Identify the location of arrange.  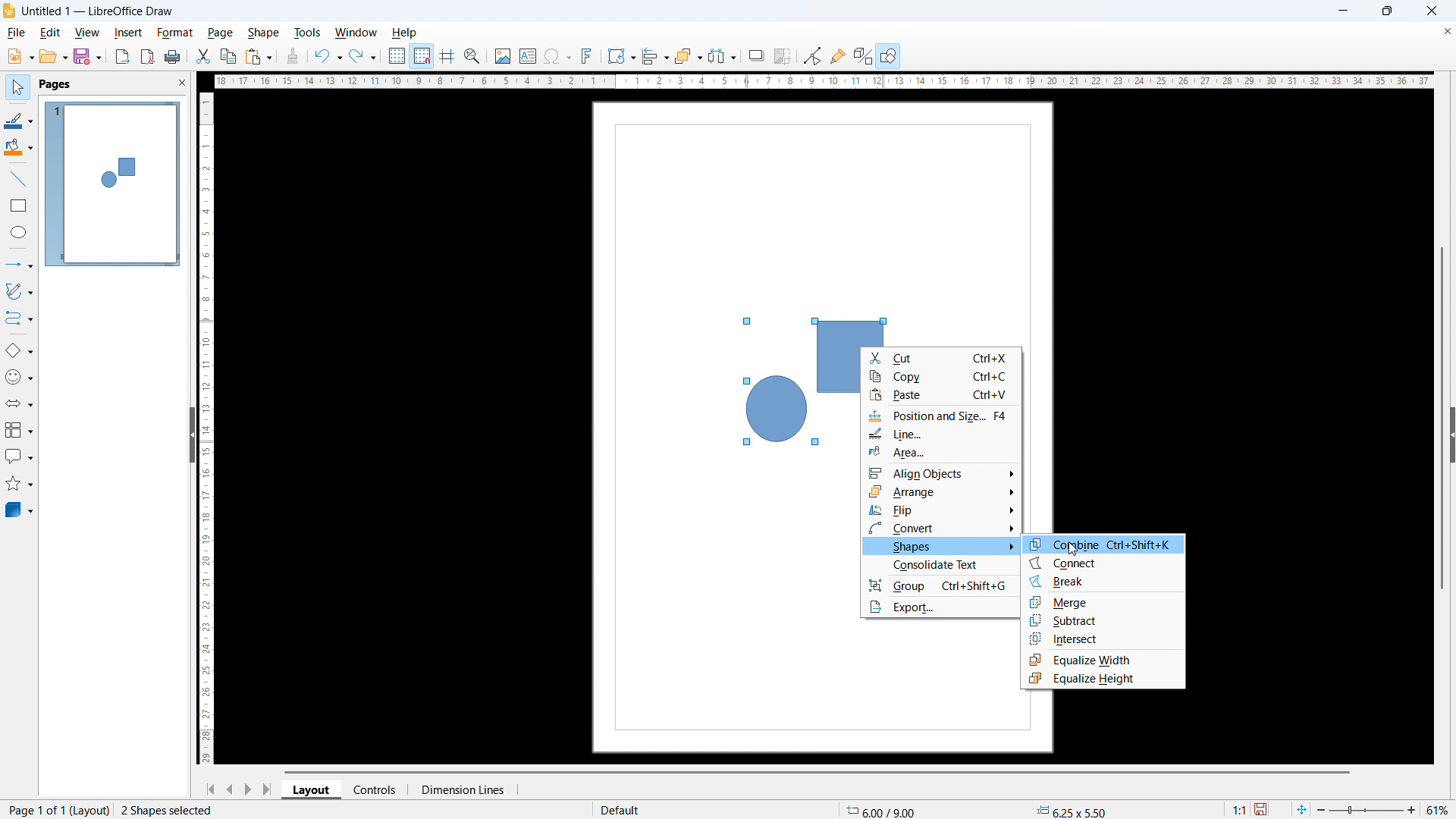
(942, 491).